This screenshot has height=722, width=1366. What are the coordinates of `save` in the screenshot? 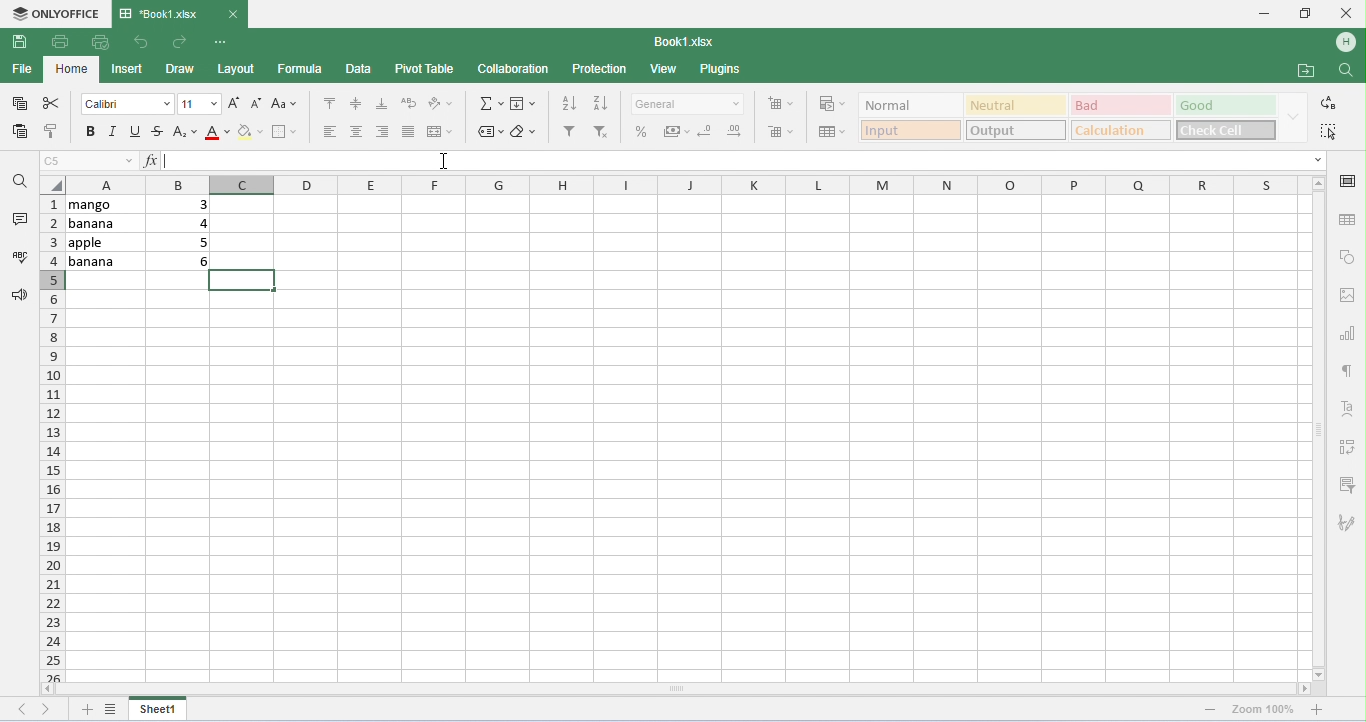 It's located at (20, 43).